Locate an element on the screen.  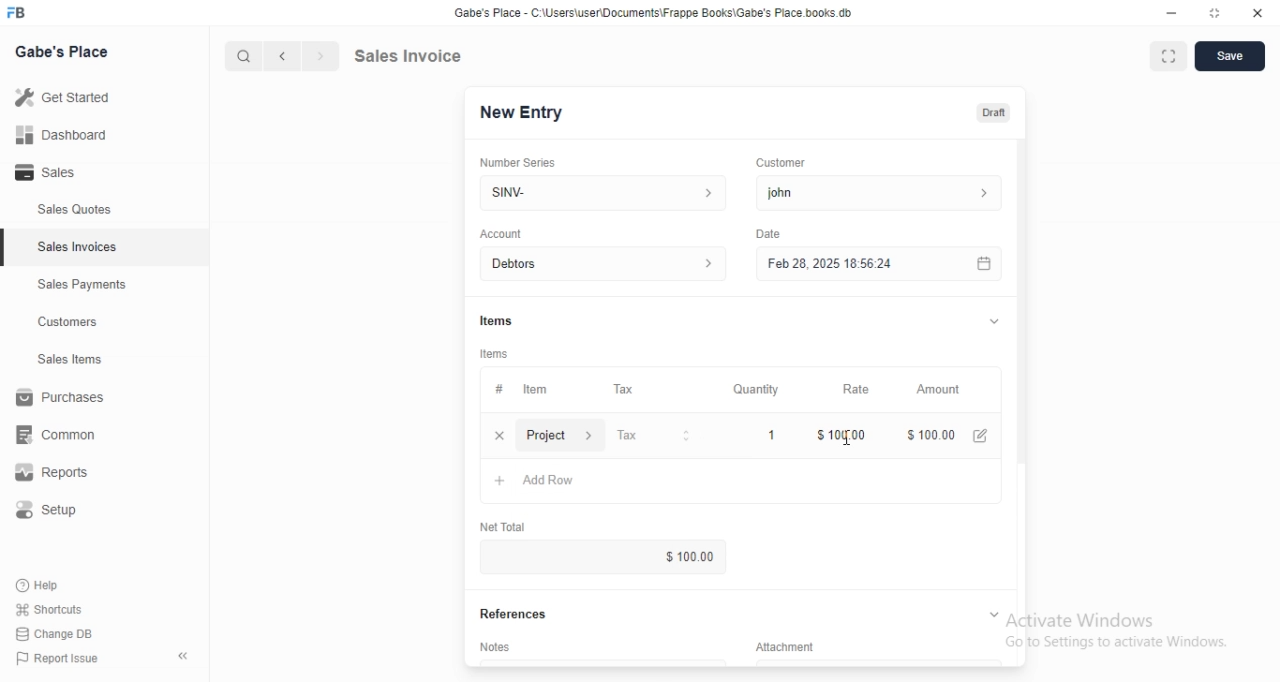
FB logo is located at coordinates (20, 13).